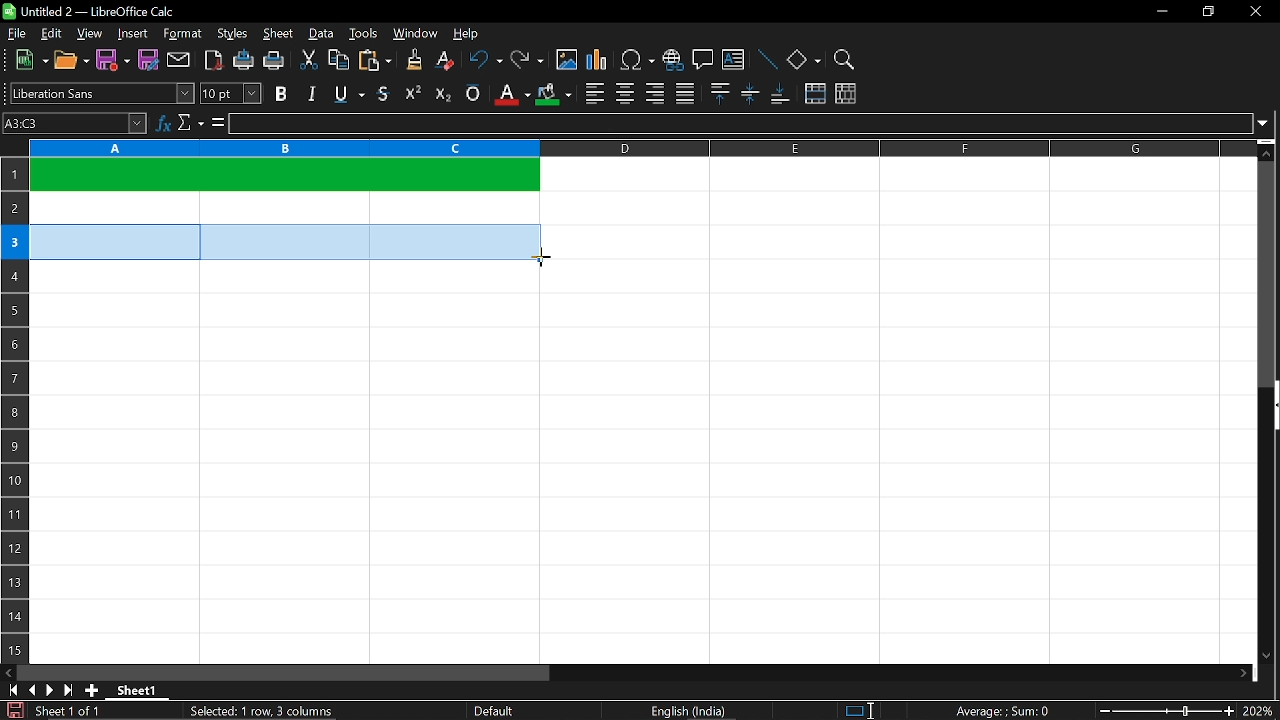 This screenshot has width=1280, height=720. I want to click on subscript, so click(442, 93).